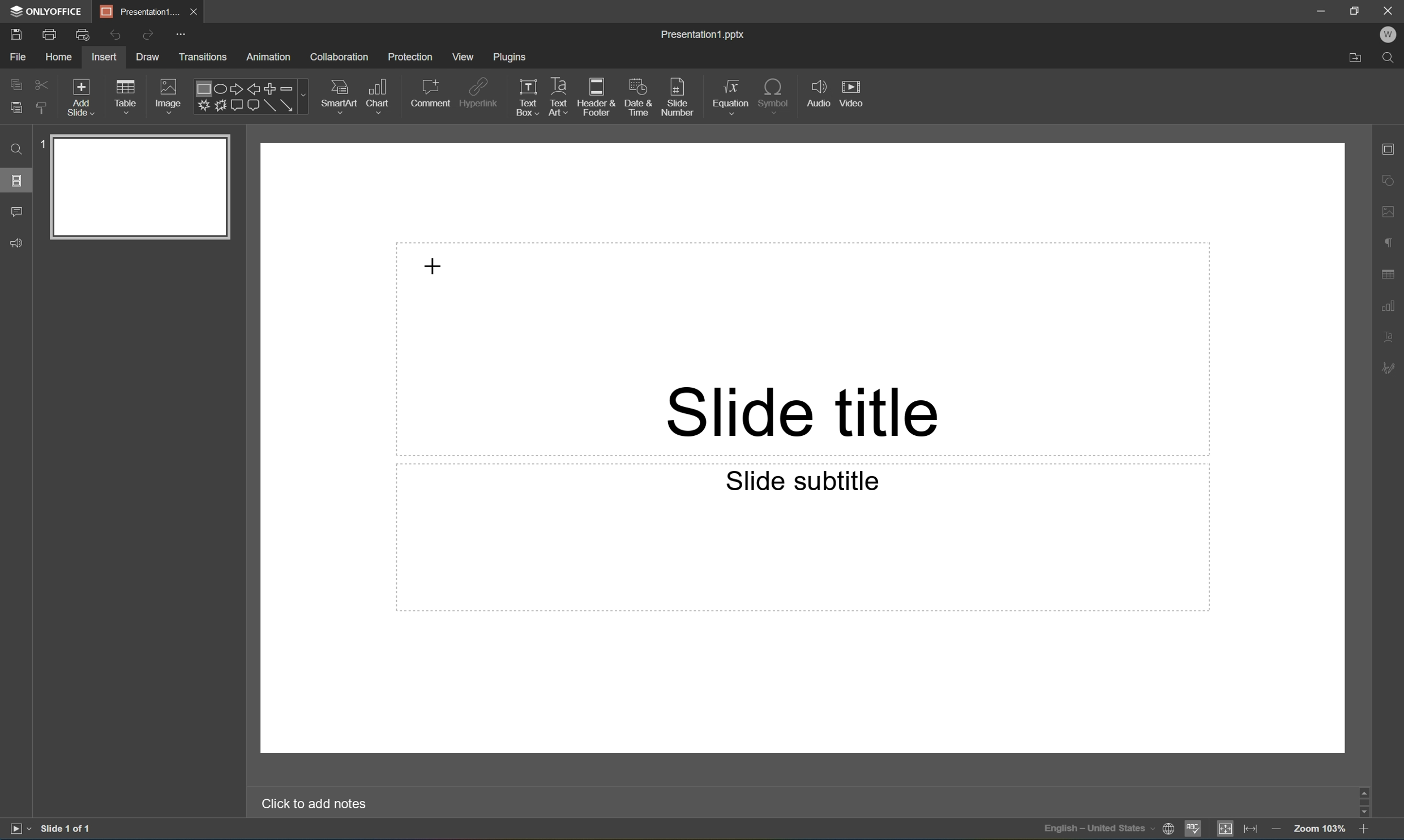 The height and width of the screenshot is (840, 1404). What do you see at coordinates (82, 34) in the screenshot?
I see `Quick Print` at bounding box center [82, 34].